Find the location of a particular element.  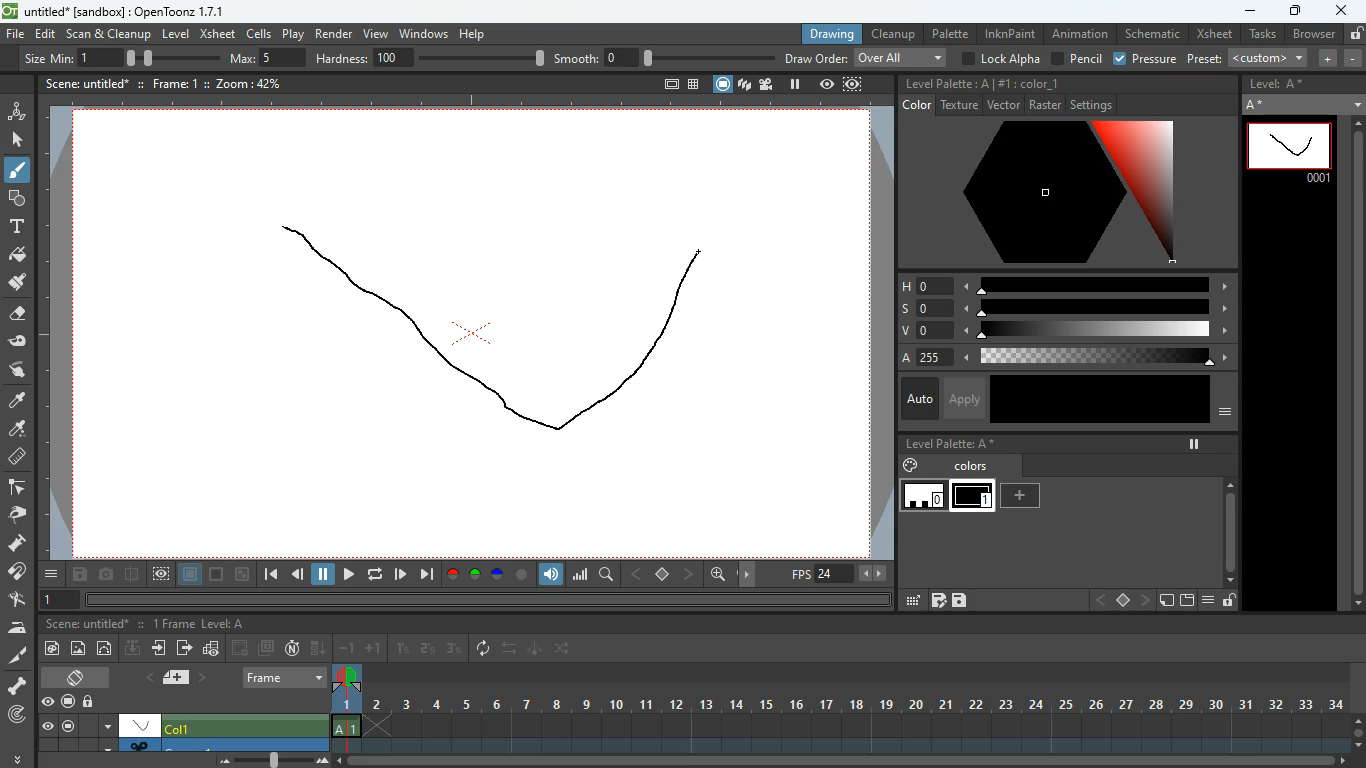

paint is located at coordinates (16, 283).